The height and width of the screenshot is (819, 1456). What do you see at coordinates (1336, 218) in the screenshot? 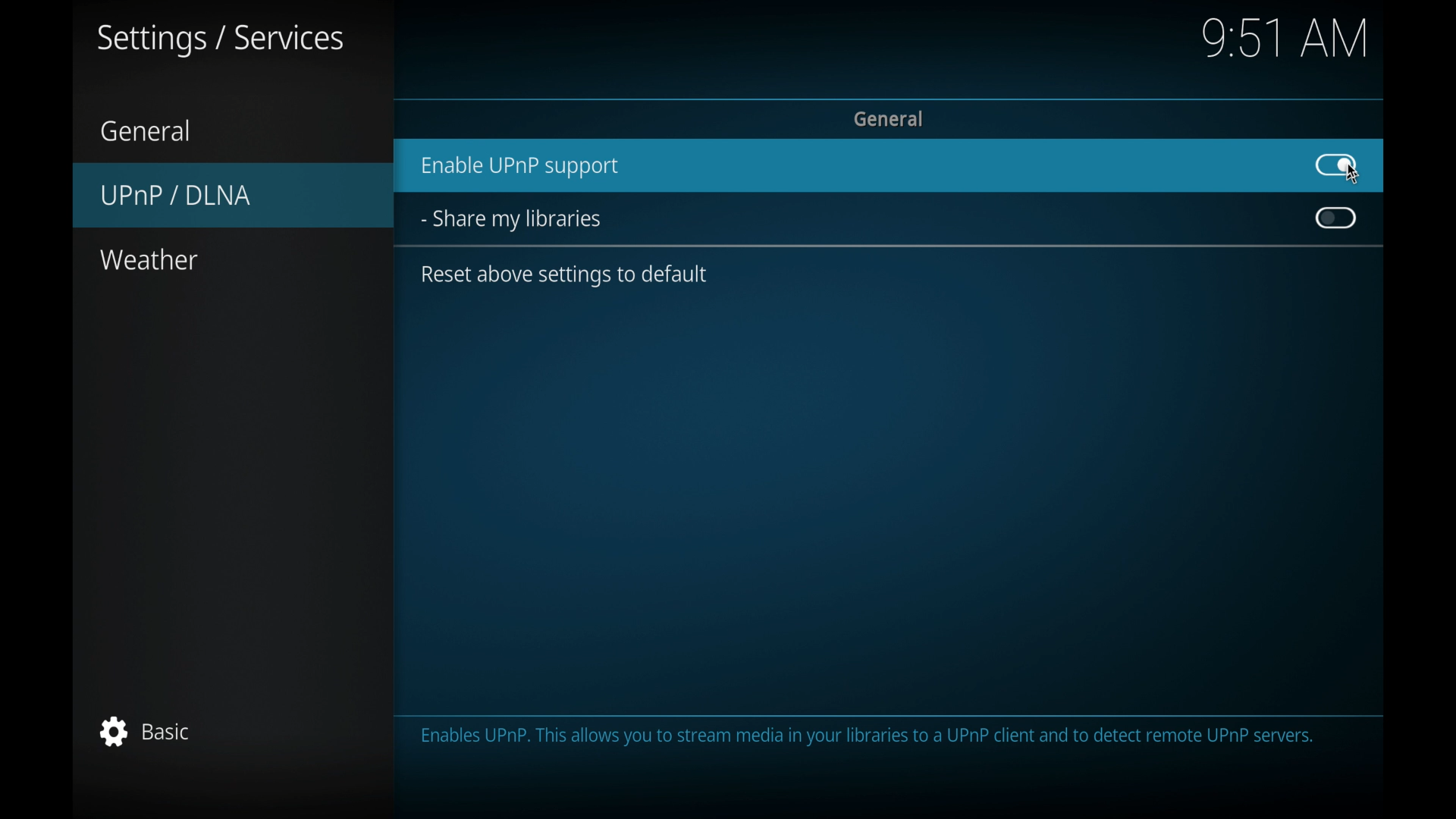
I see `toggle button` at bounding box center [1336, 218].